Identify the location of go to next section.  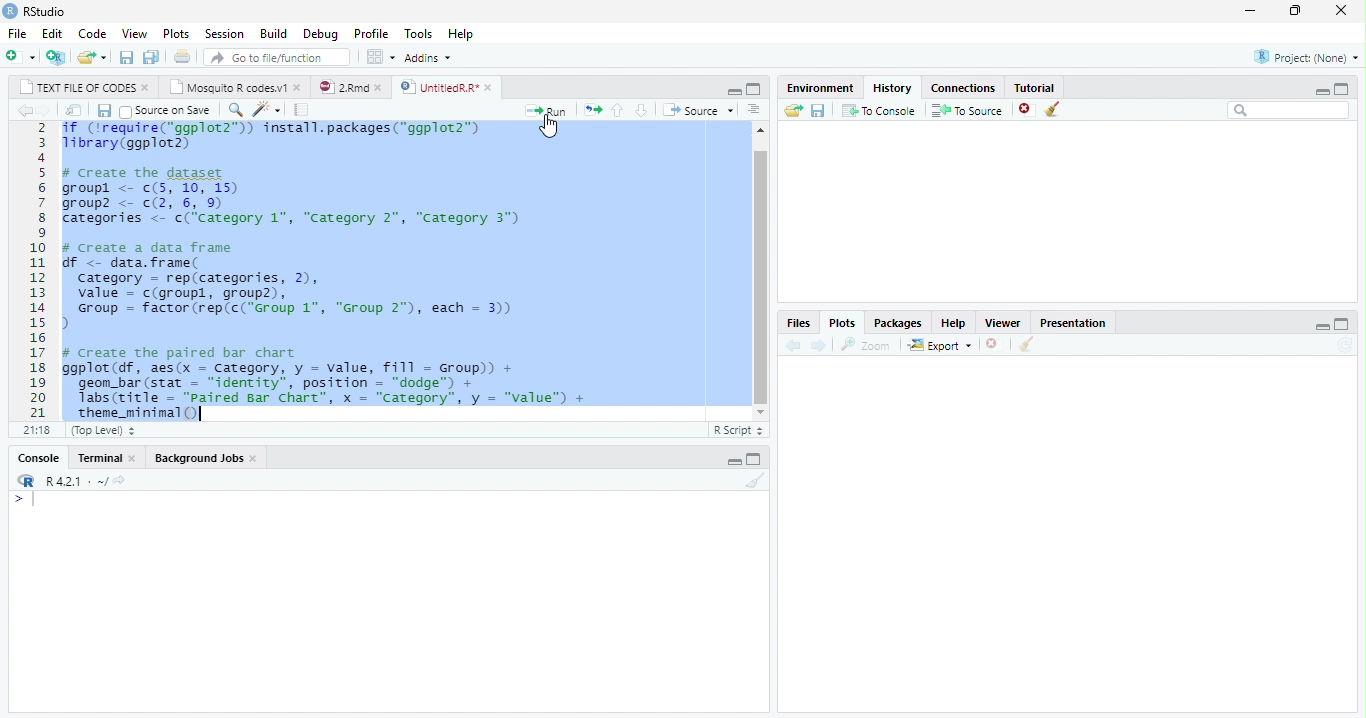
(642, 110).